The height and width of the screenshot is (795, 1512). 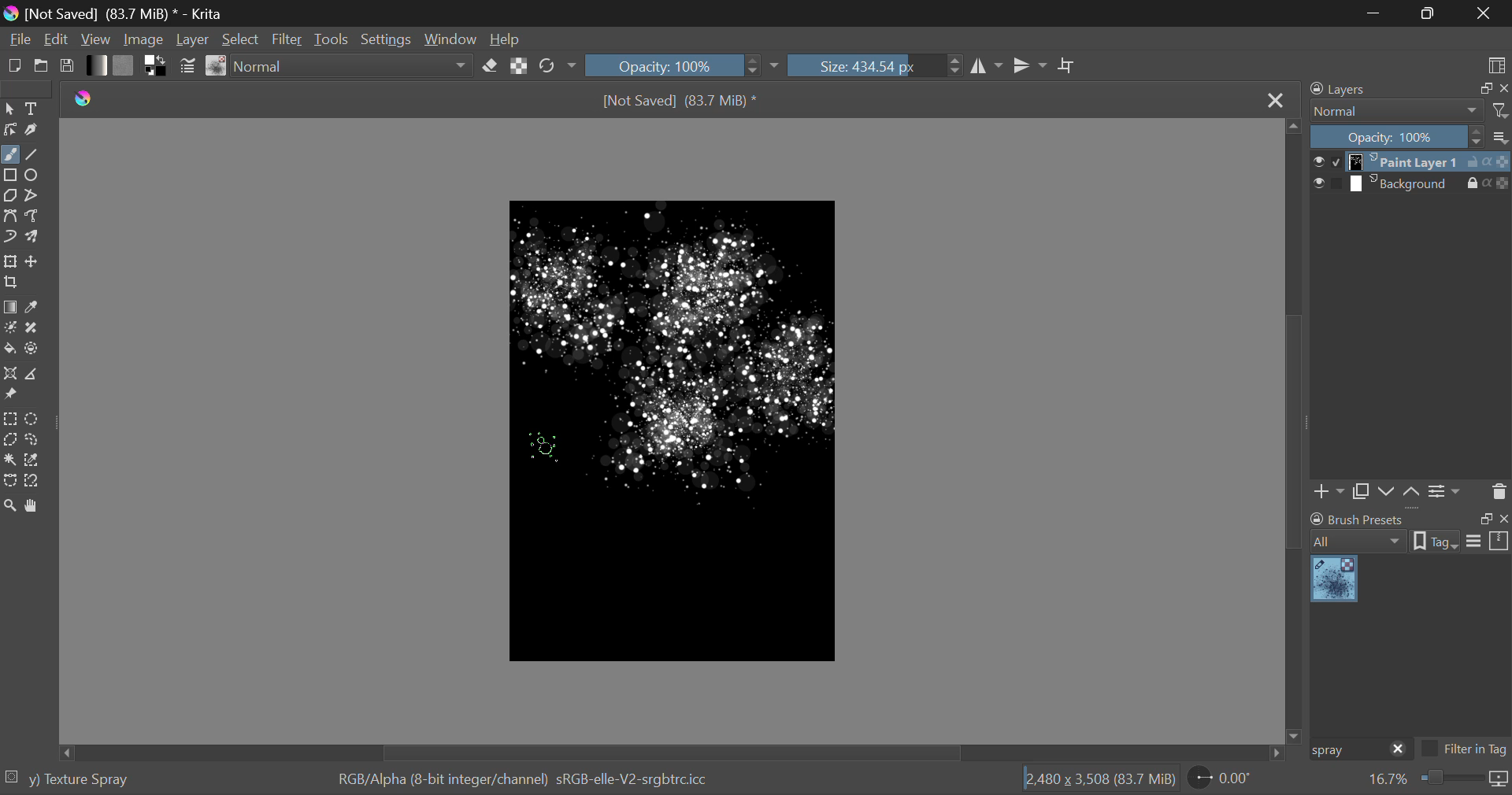 I want to click on Gradient, so click(x=98, y=65).